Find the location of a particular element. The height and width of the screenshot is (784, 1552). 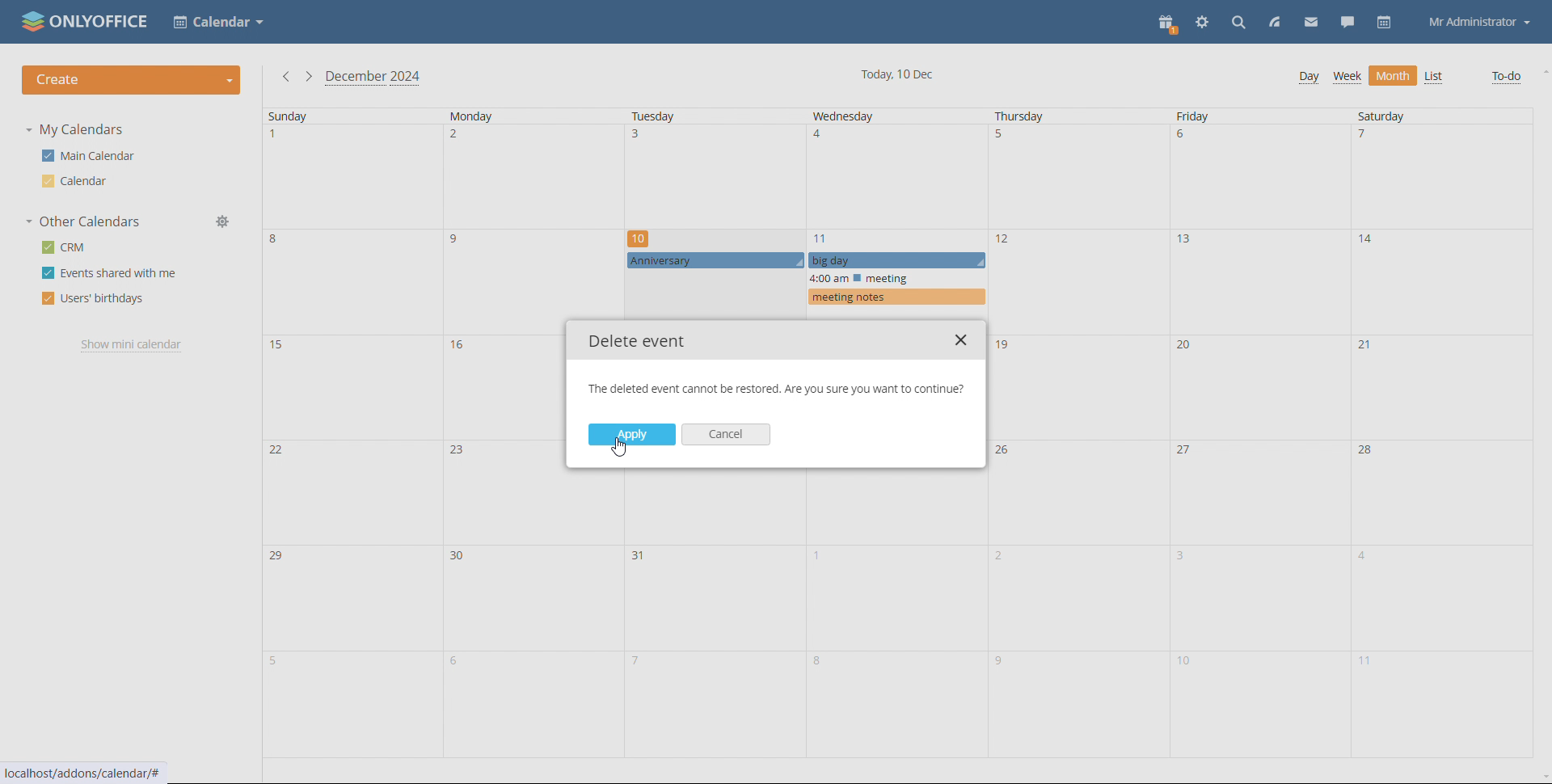

Wednesday is located at coordinates (894, 166).